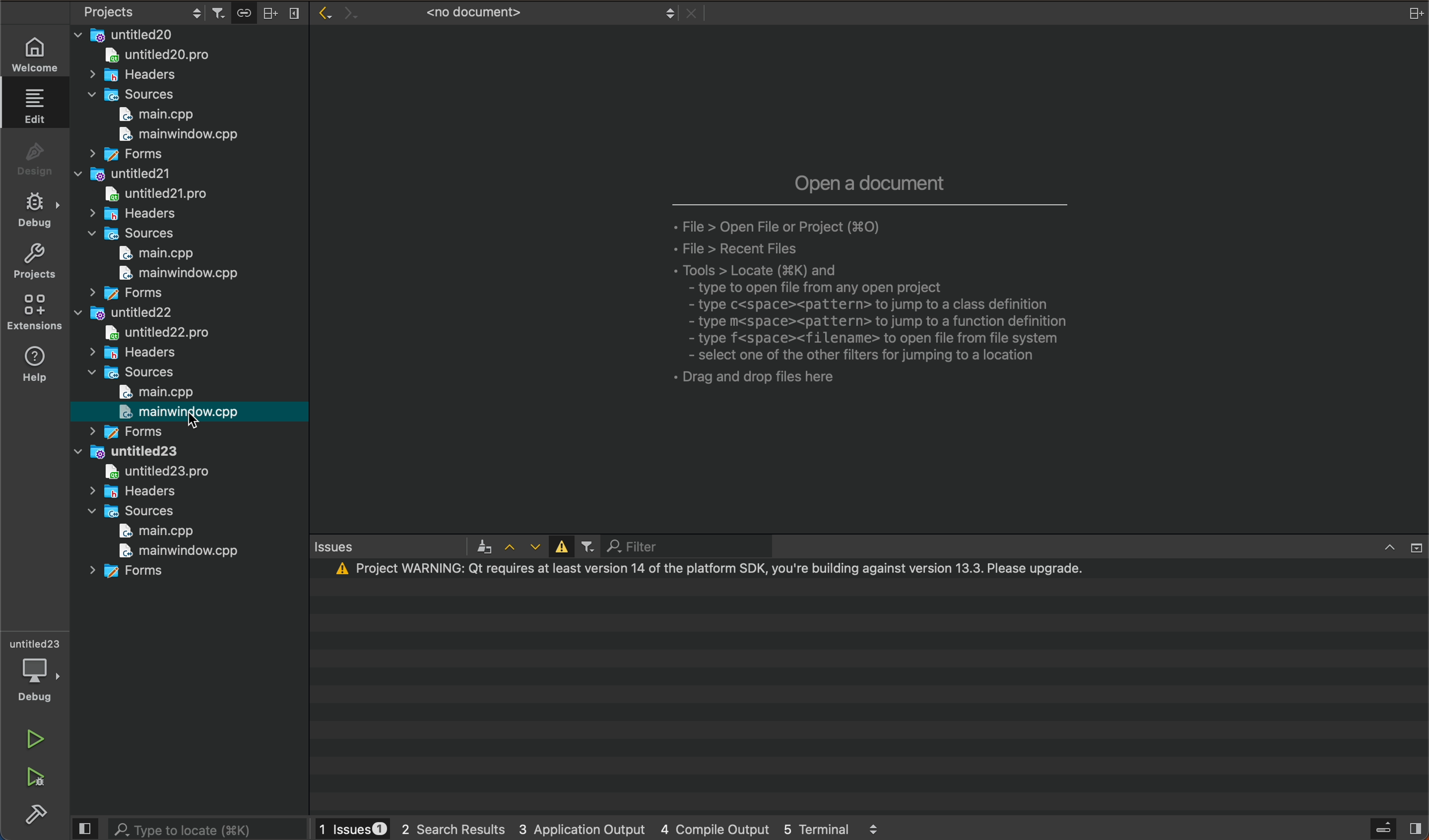 The height and width of the screenshot is (840, 1429). Describe the element at coordinates (188, 34) in the screenshot. I see `files and folders` at that location.